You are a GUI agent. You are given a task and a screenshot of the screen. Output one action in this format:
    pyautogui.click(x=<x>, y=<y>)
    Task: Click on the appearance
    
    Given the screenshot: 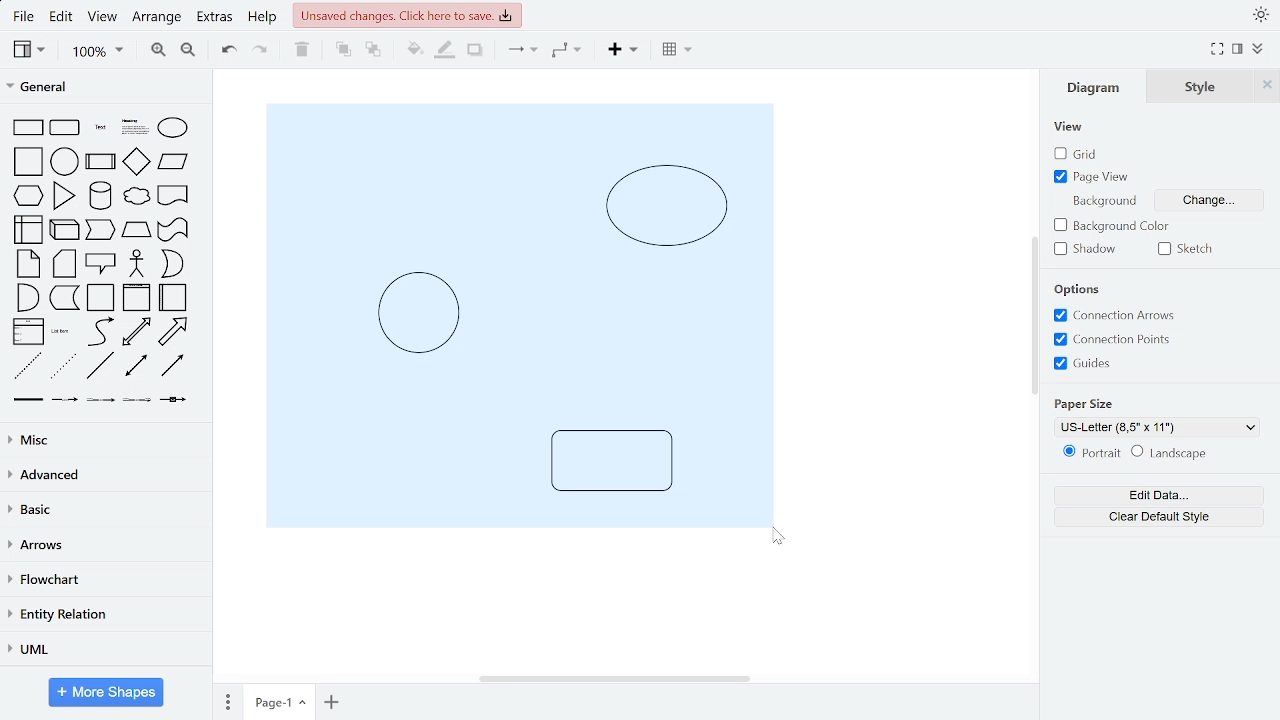 What is the action you would take?
    pyautogui.click(x=1258, y=15)
    